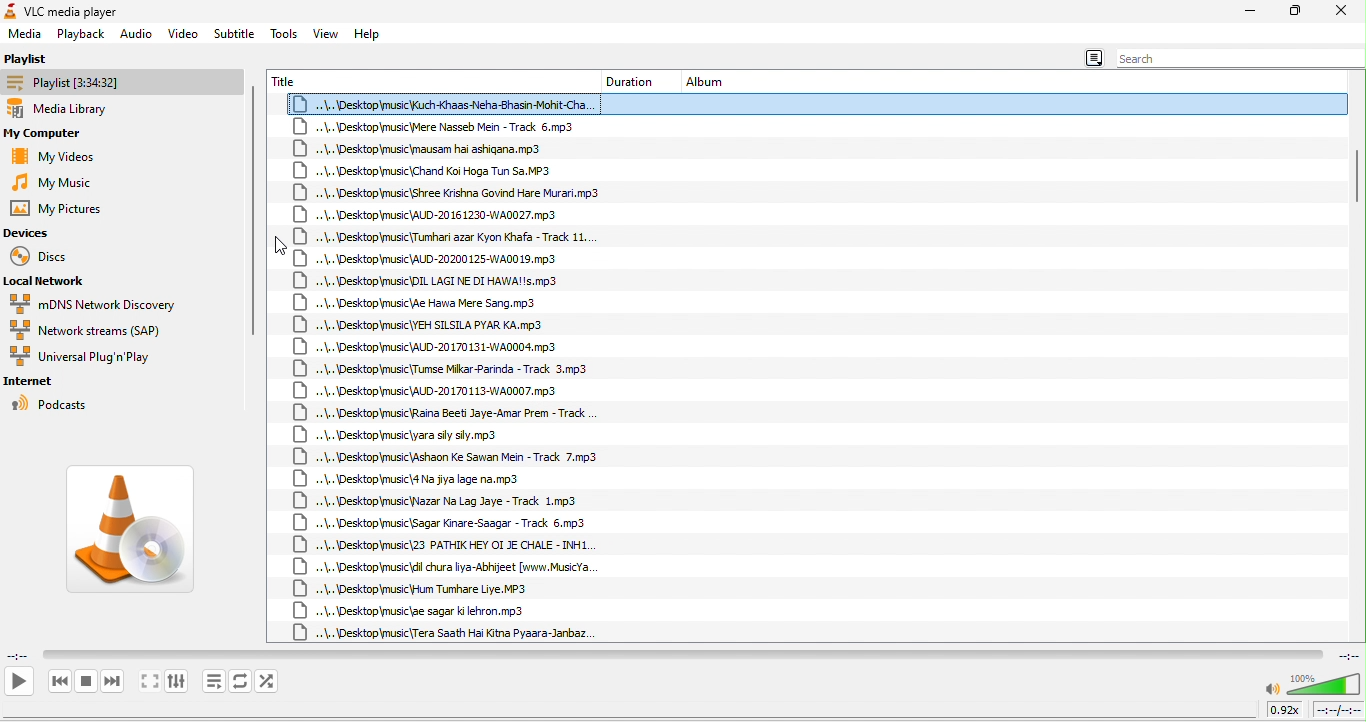  I want to click on icon, so click(10, 11).